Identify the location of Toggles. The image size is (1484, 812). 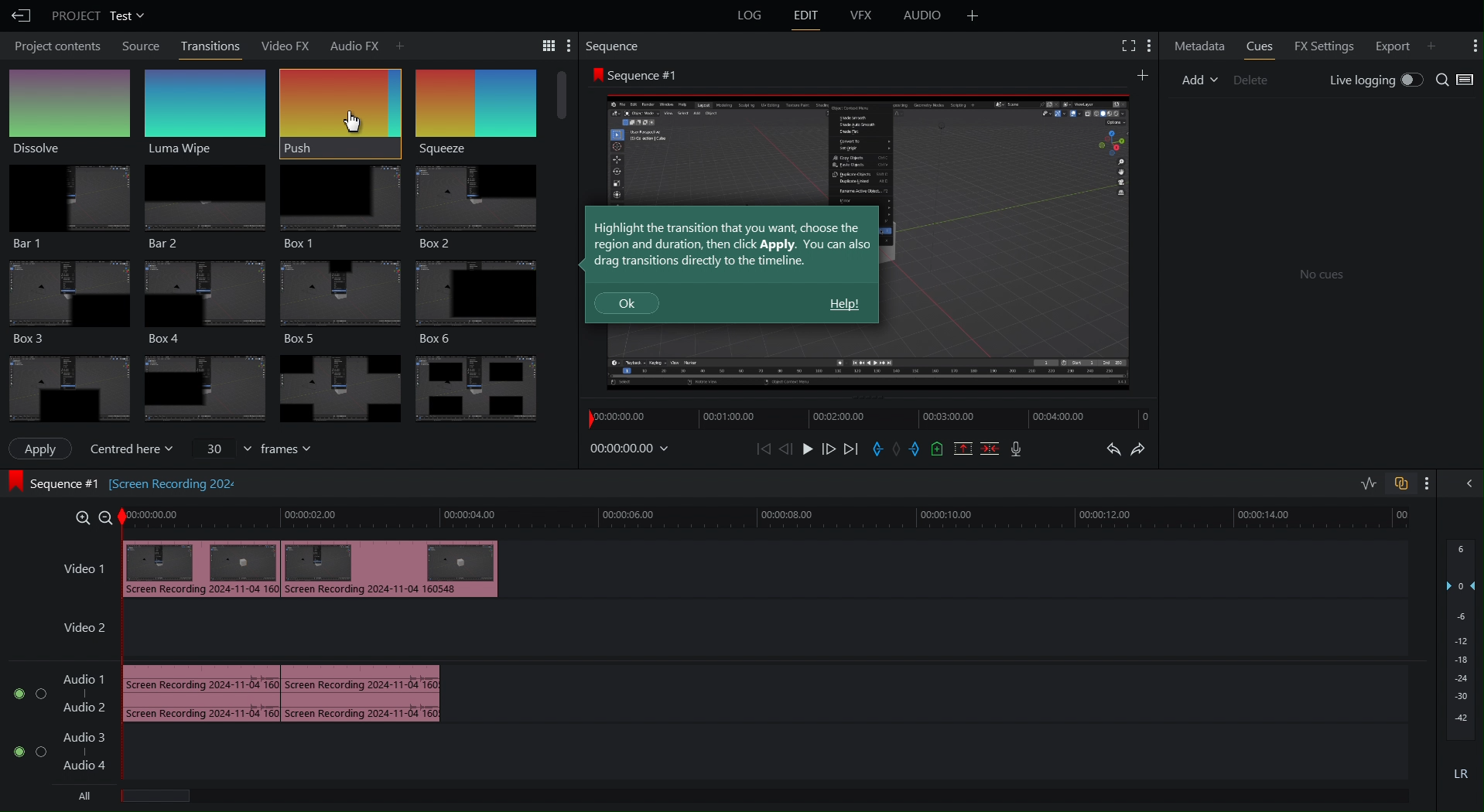
(1395, 483).